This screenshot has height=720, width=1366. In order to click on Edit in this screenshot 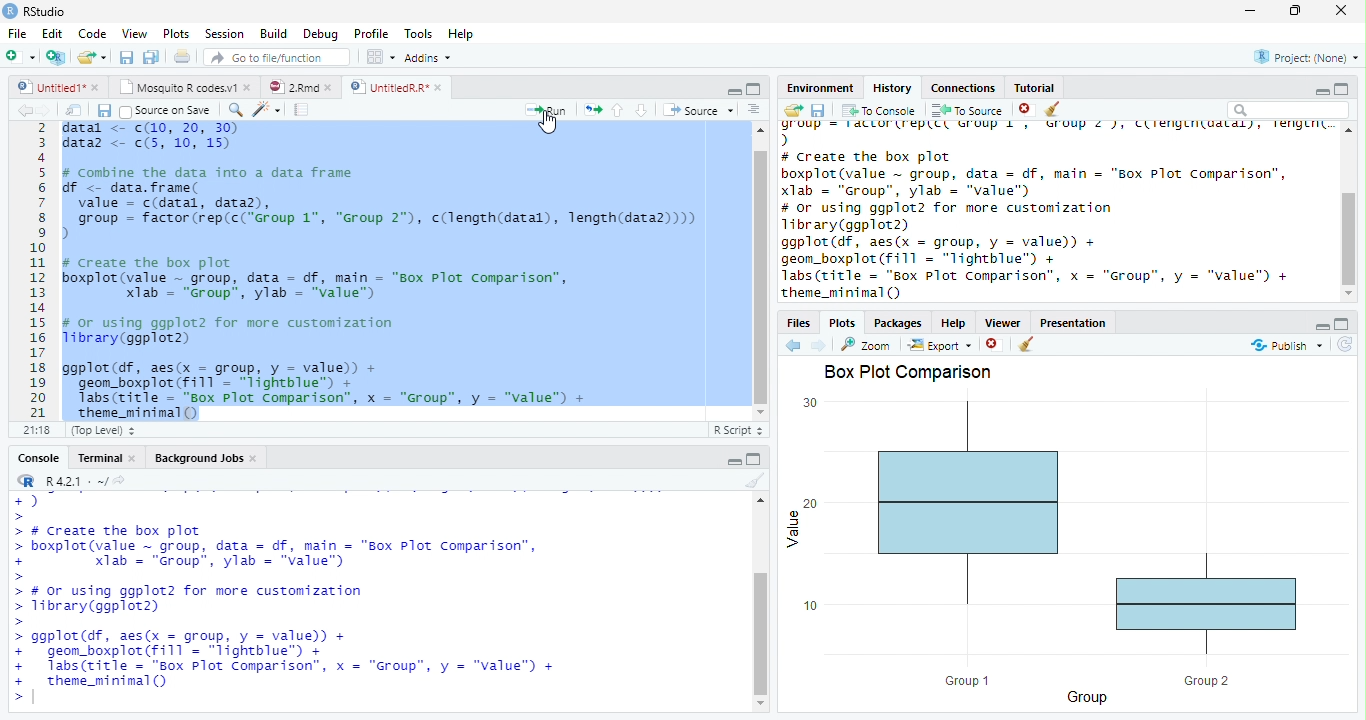, I will do `click(50, 33)`.